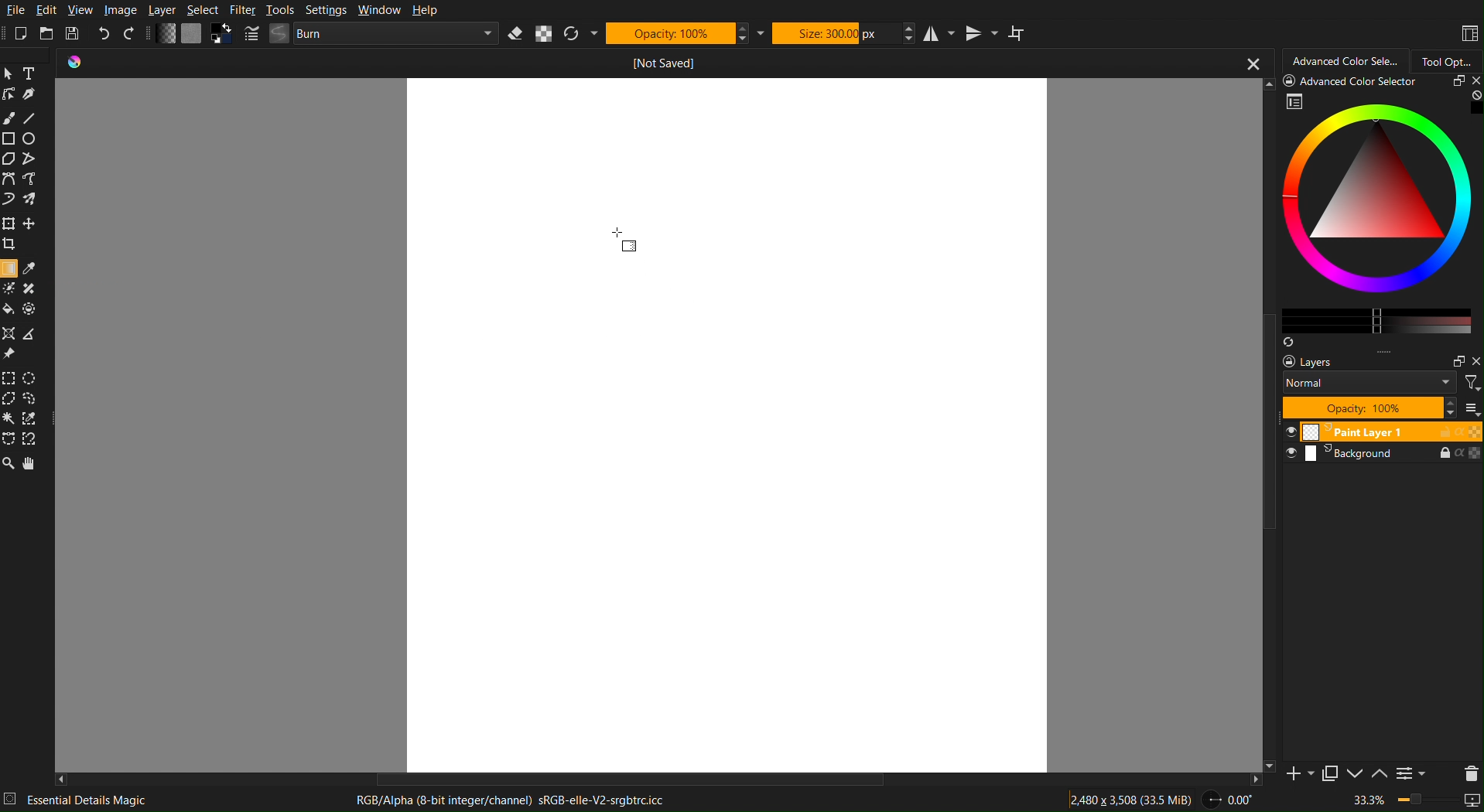  I want to click on Cursor, so click(619, 230).